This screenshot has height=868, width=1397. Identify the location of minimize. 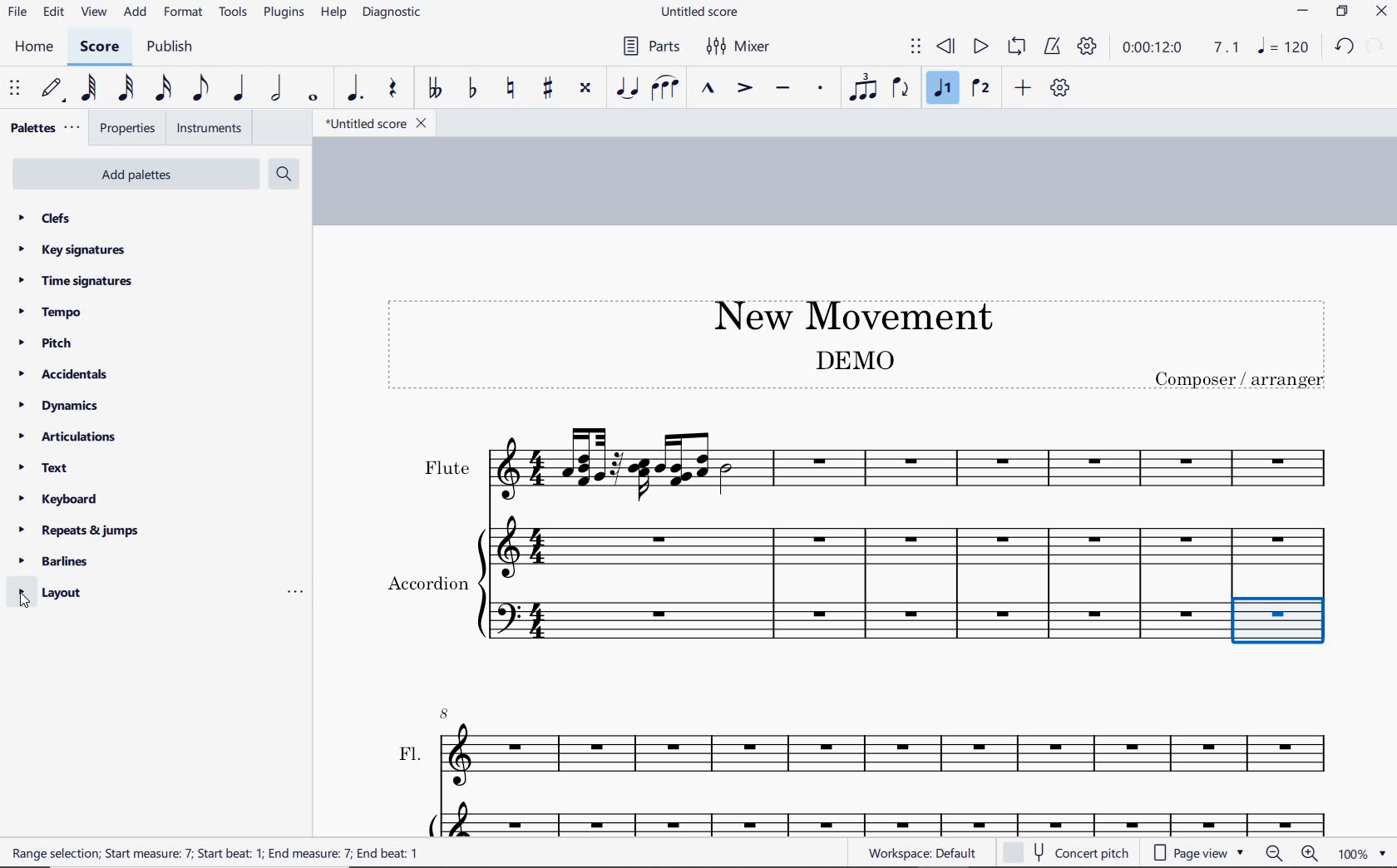
(1303, 12).